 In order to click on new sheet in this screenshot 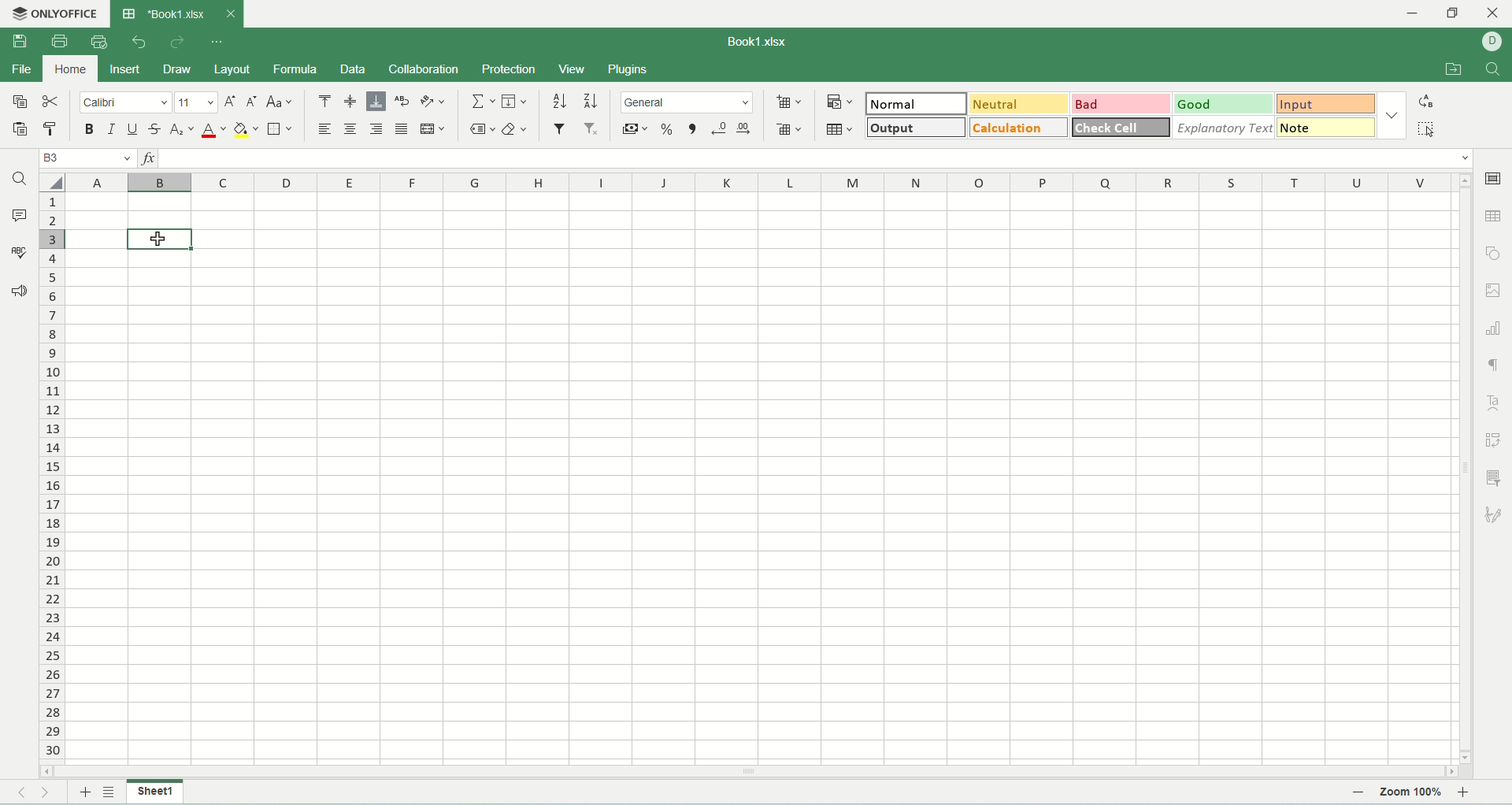, I will do `click(83, 793)`.